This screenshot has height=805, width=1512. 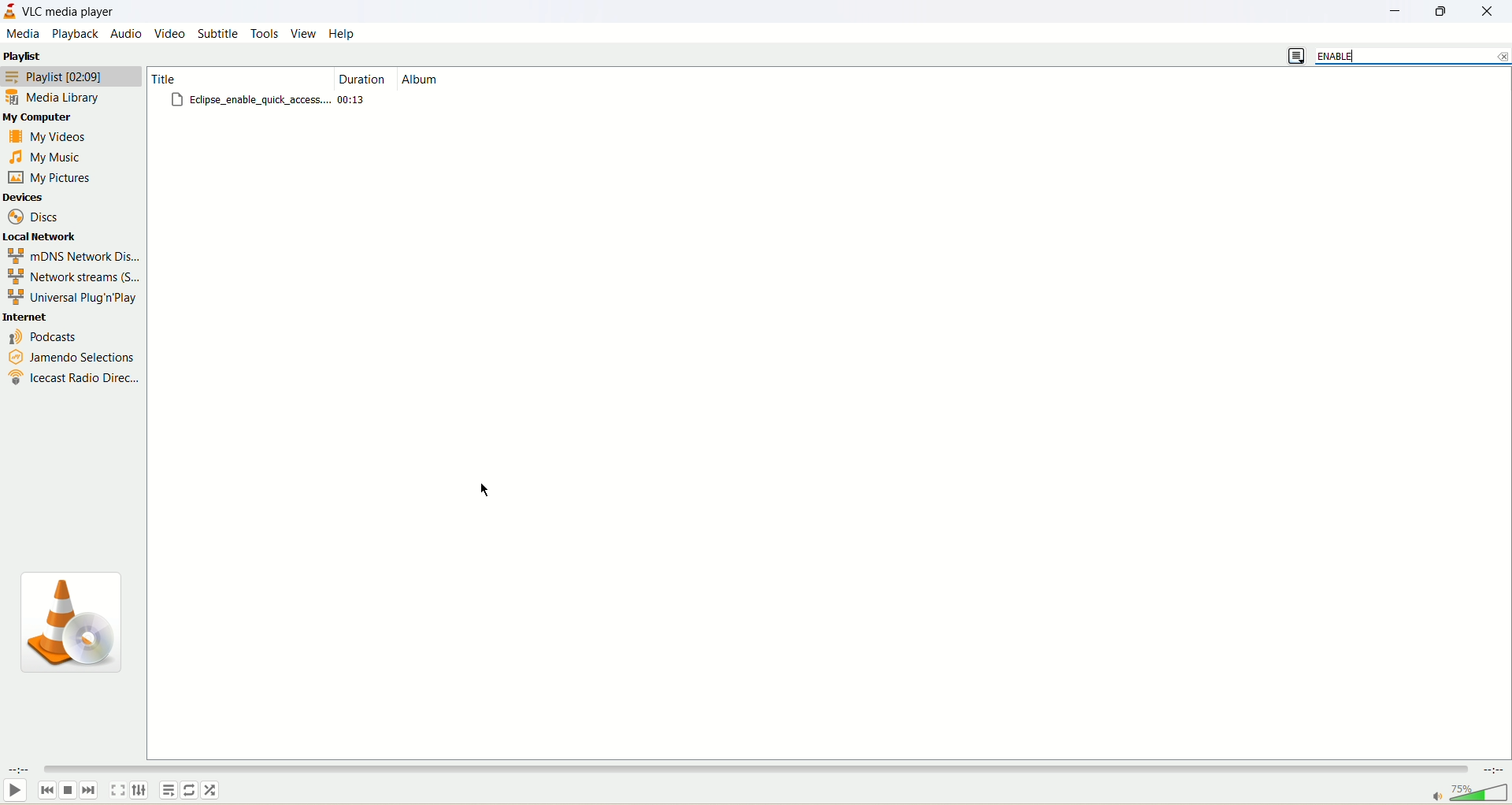 I want to click on seek bar, so click(x=757, y=769).